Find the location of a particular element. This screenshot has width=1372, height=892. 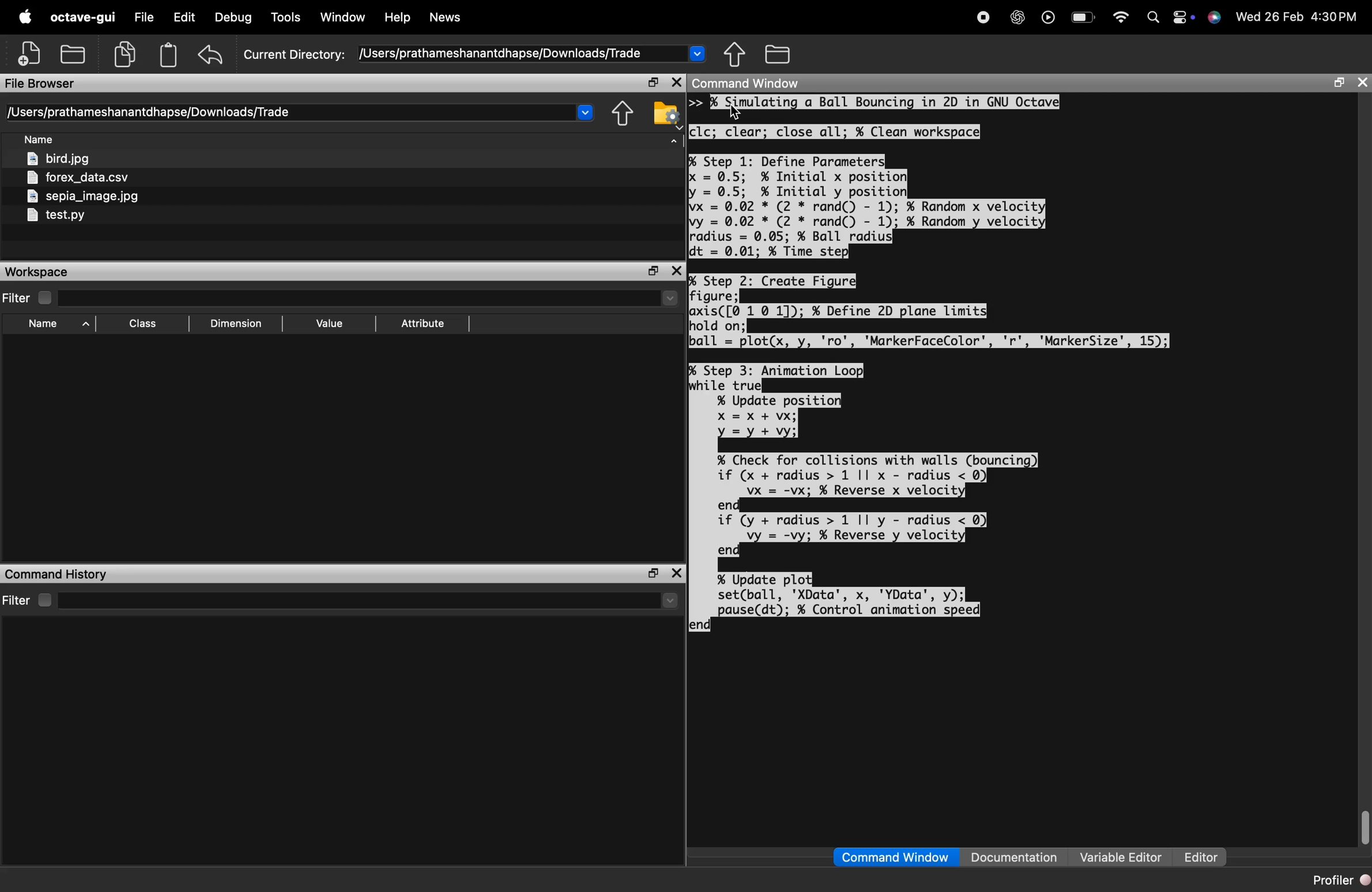

edit is located at coordinates (184, 17).